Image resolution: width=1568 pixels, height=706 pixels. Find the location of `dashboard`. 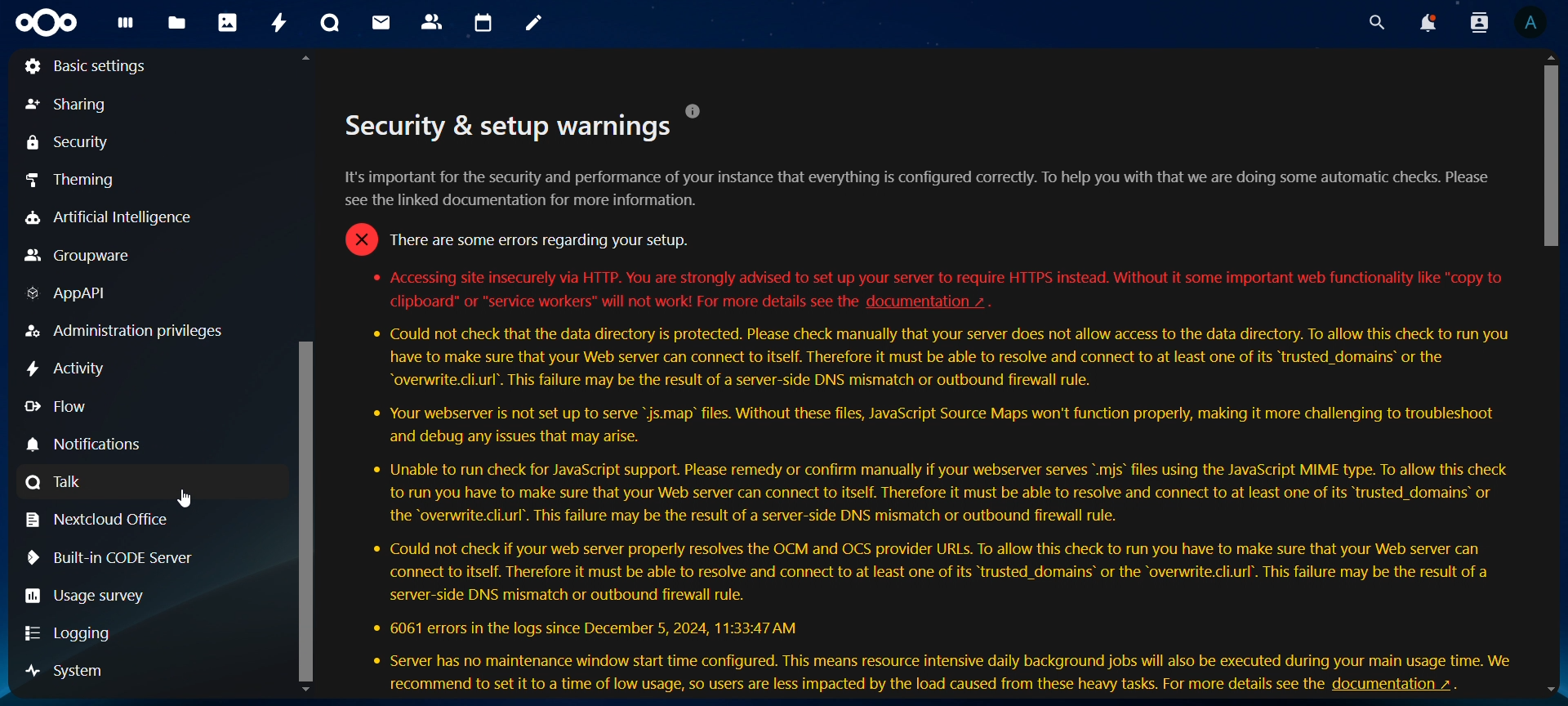

dashboard is located at coordinates (124, 26).